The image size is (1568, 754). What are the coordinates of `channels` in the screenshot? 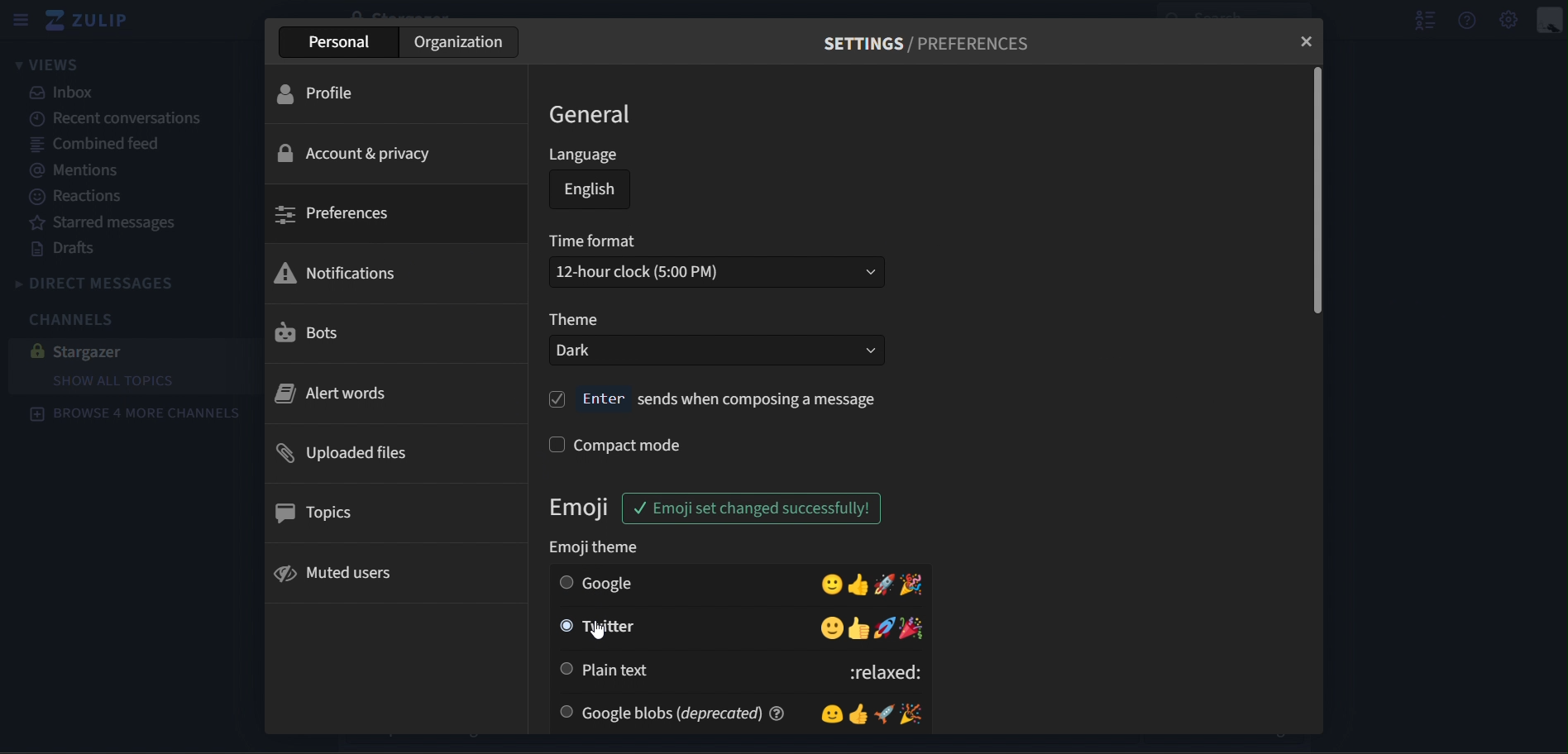 It's located at (79, 322).